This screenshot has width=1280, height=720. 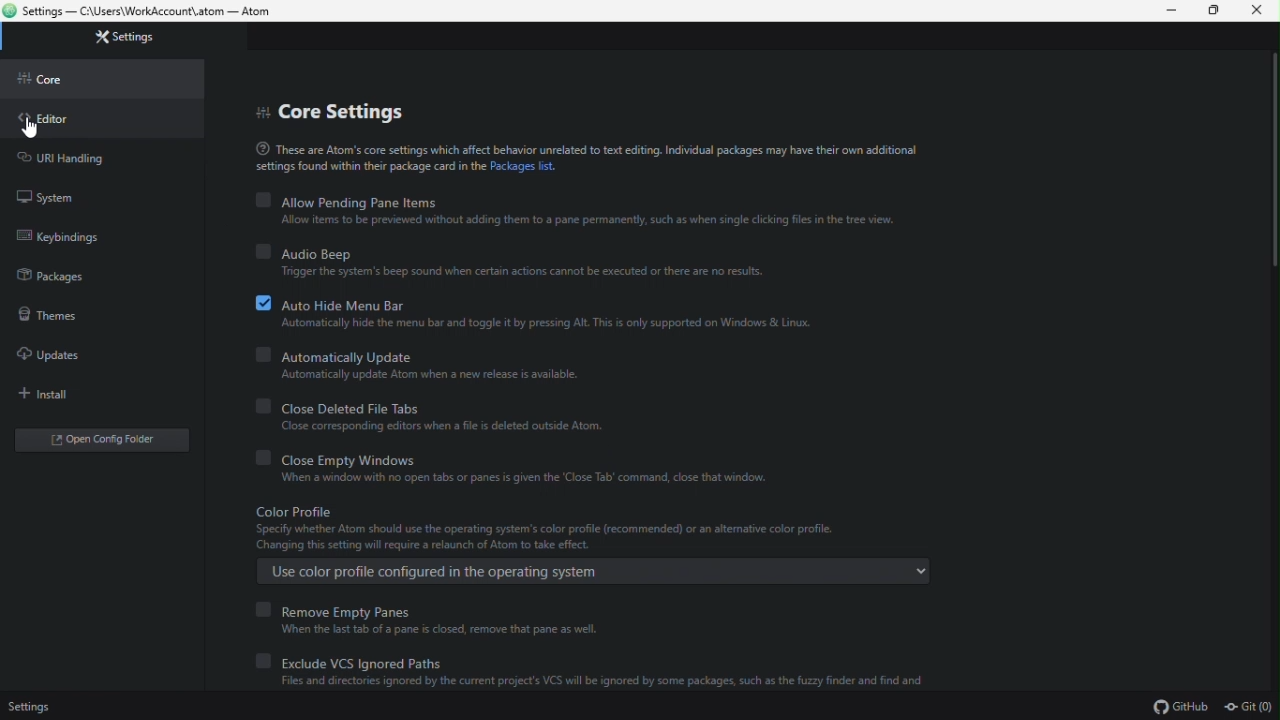 What do you see at coordinates (1213, 10) in the screenshot?
I see `Restore` at bounding box center [1213, 10].